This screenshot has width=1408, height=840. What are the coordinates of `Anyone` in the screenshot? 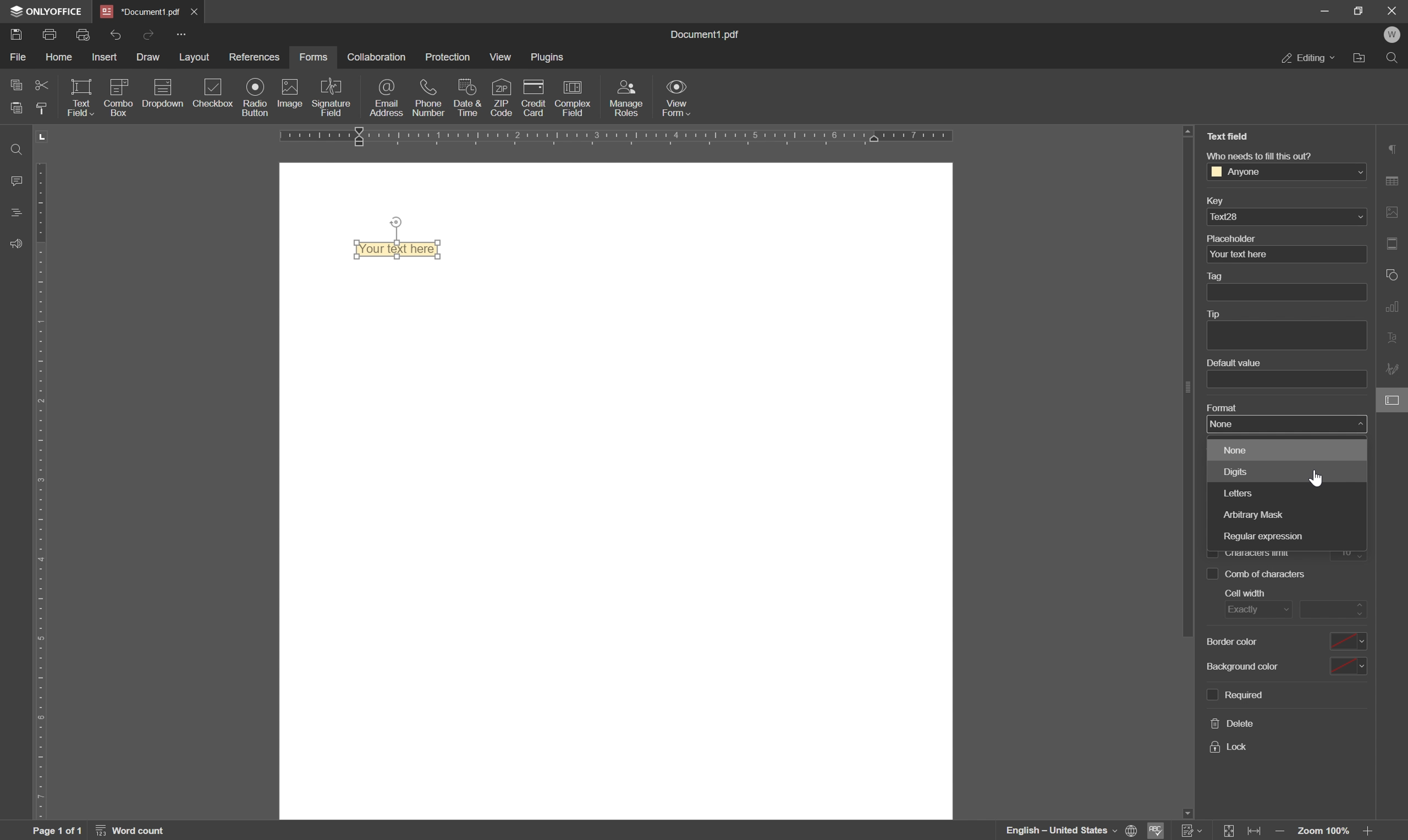 It's located at (1286, 172).